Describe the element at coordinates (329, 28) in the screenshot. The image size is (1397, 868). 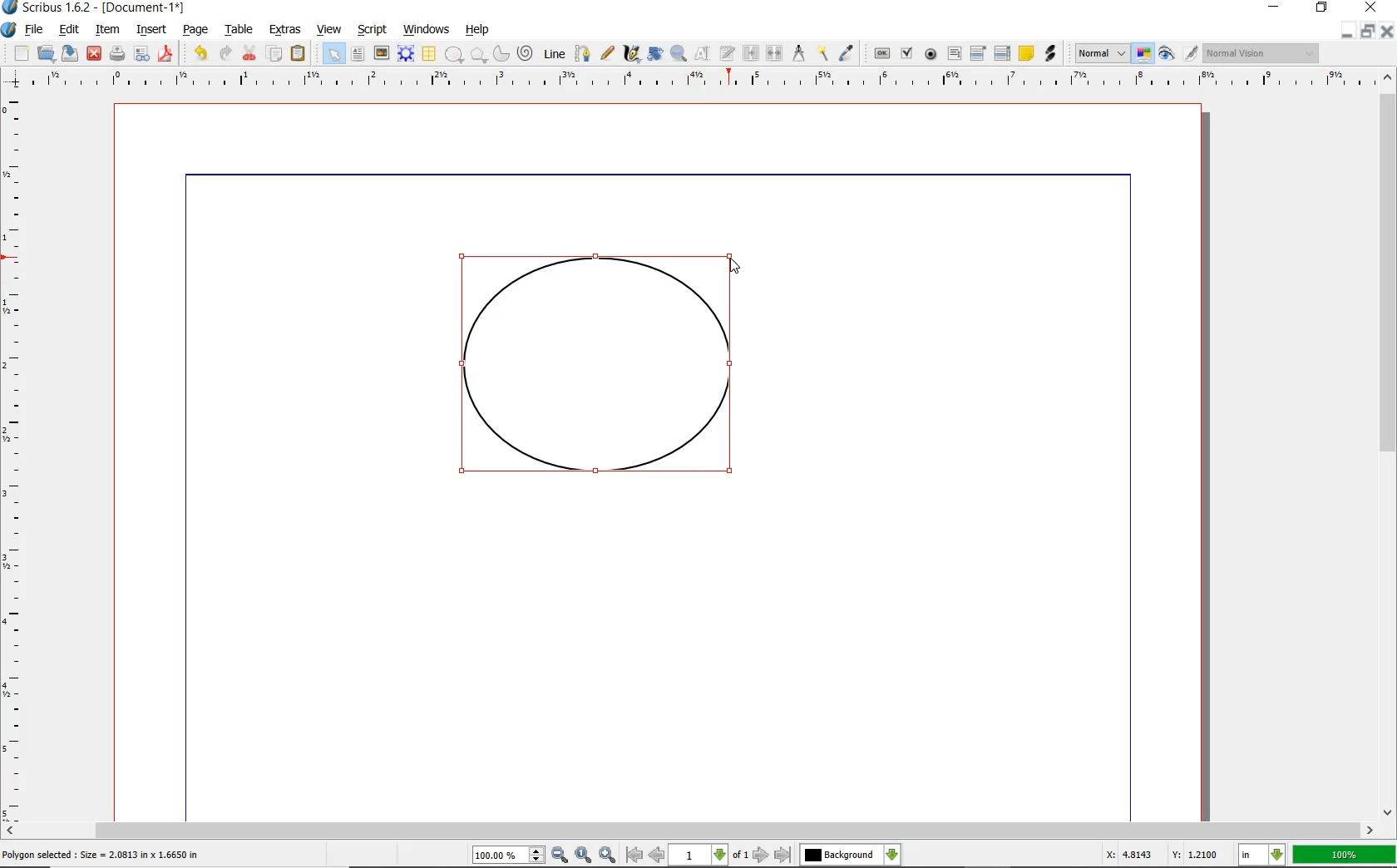
I see `VIEW` at that location.